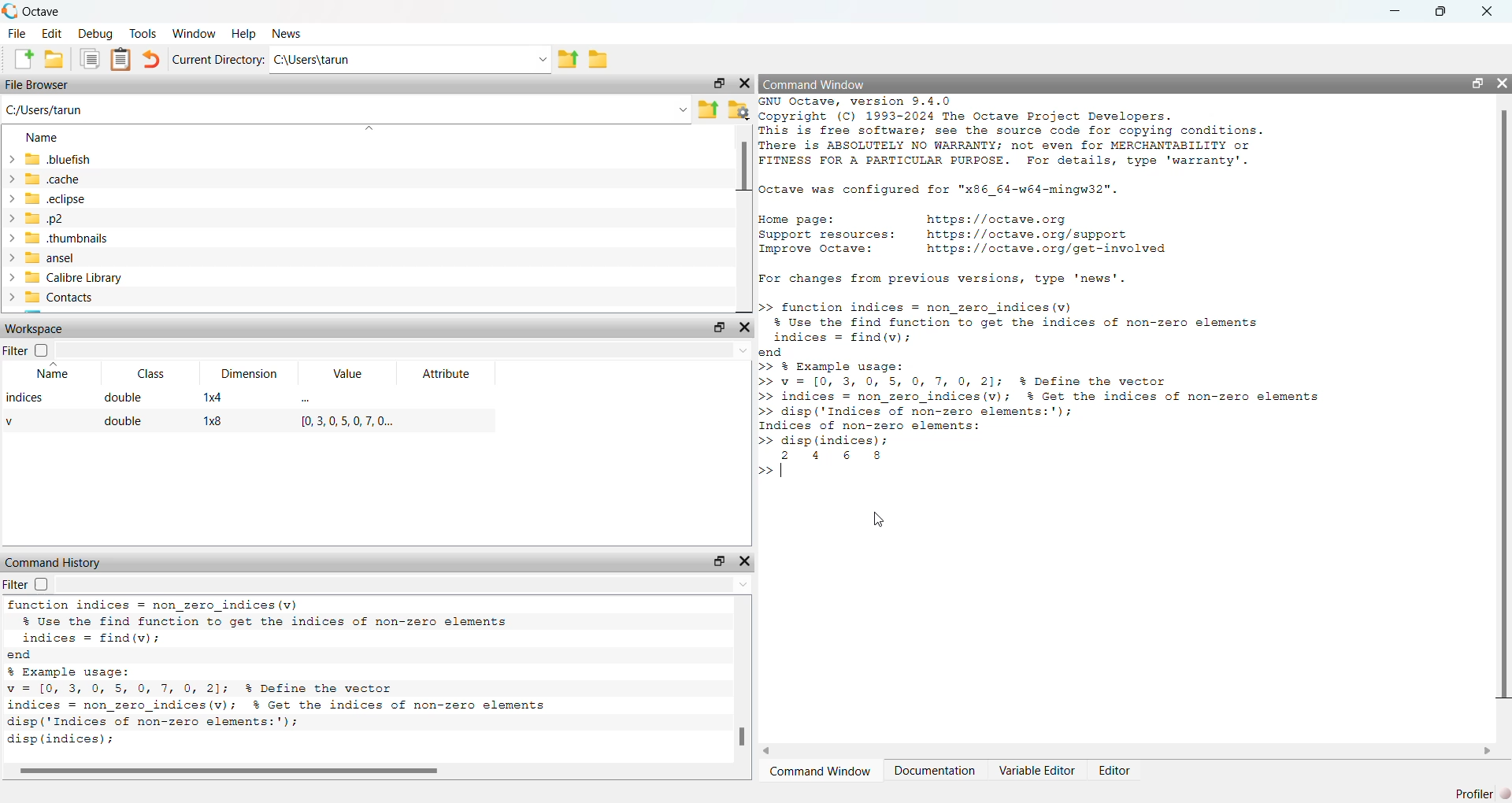 The image size is (1512, 803). I want to click on ‘Window, so click(192, 34).